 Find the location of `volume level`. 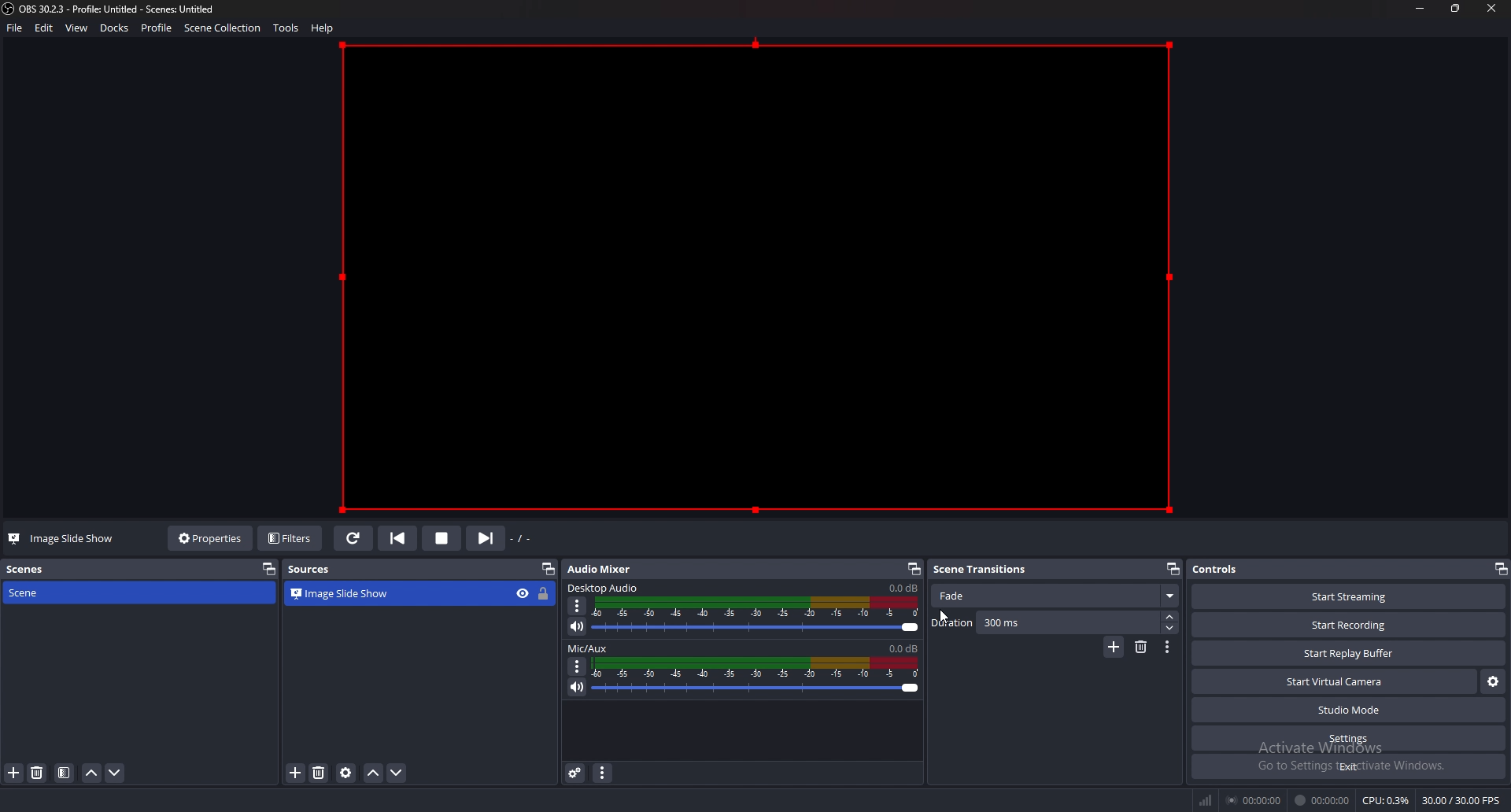

volume level is located at coordinates (903, 648).